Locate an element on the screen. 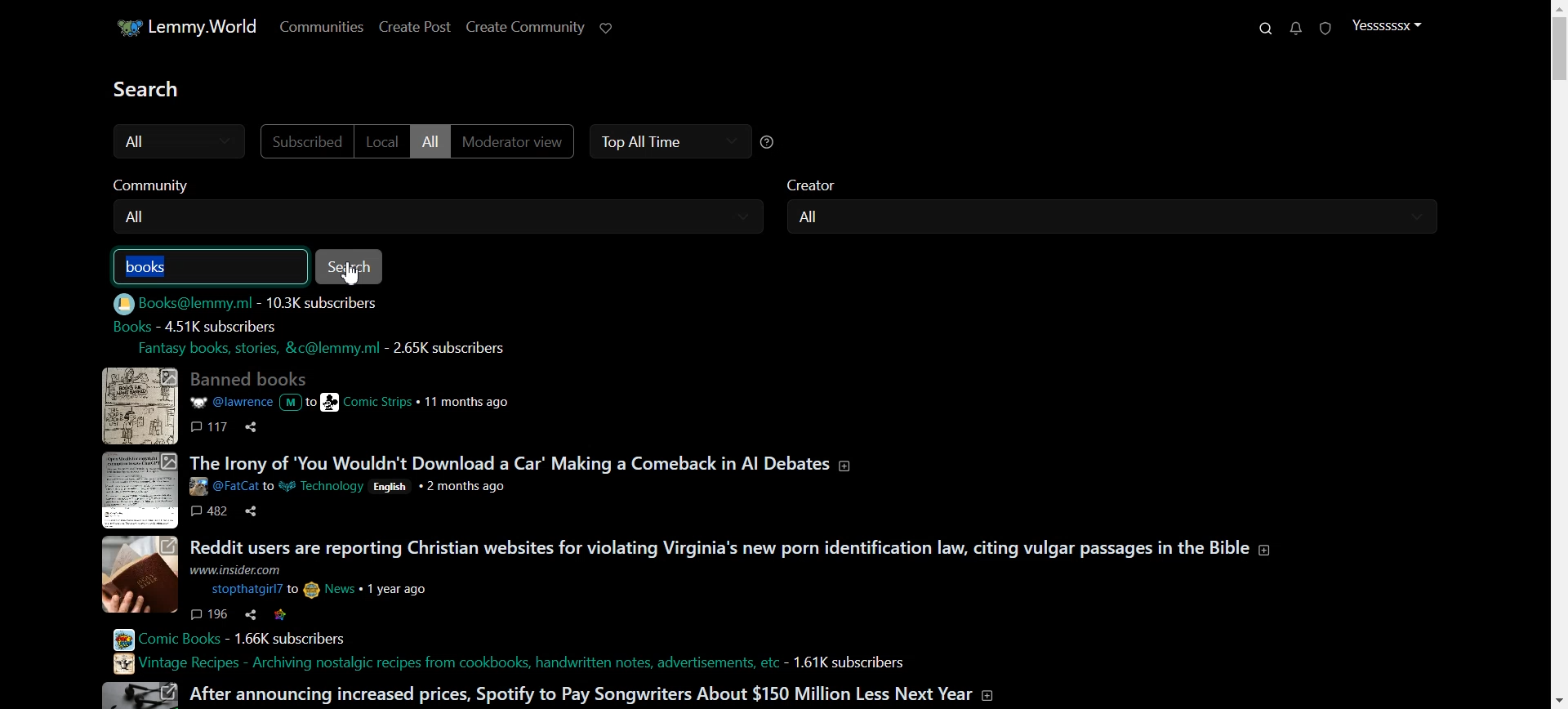 The width and height of the screenshot is (1568, 709). All is located at coordinates (439, 142).